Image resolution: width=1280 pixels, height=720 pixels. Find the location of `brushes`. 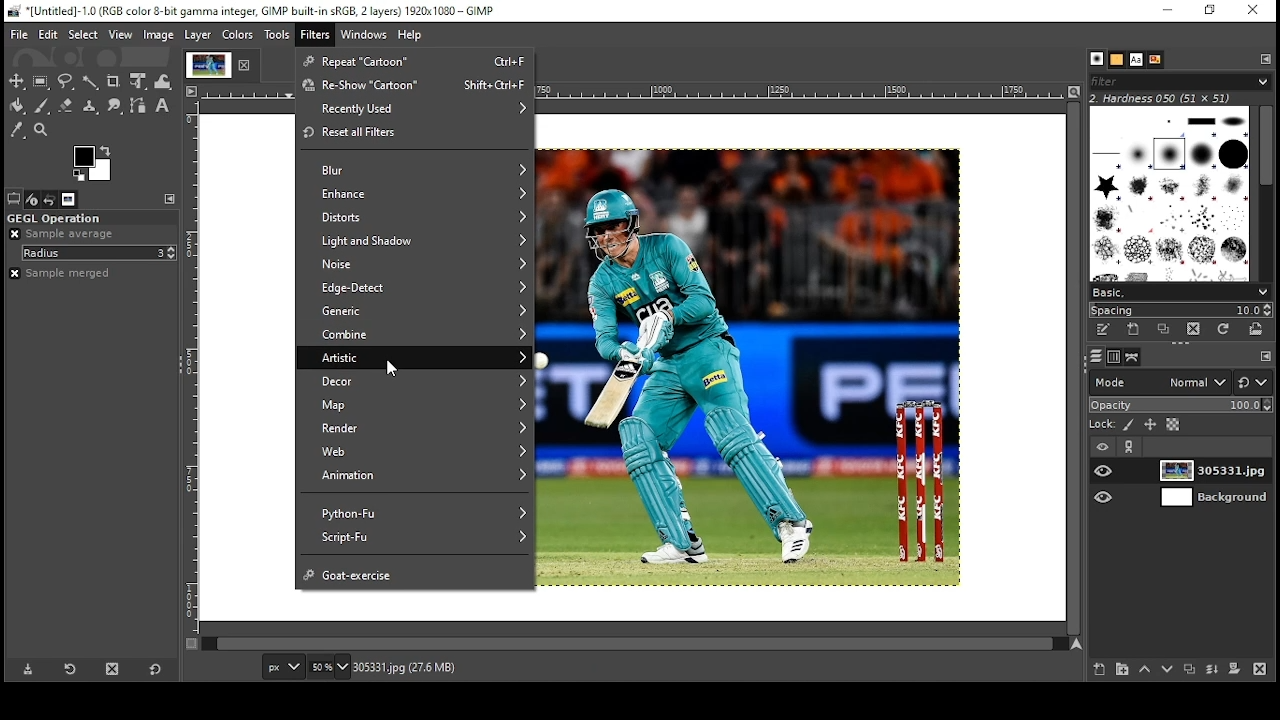

brushes is located at coordinates (1179, 81).